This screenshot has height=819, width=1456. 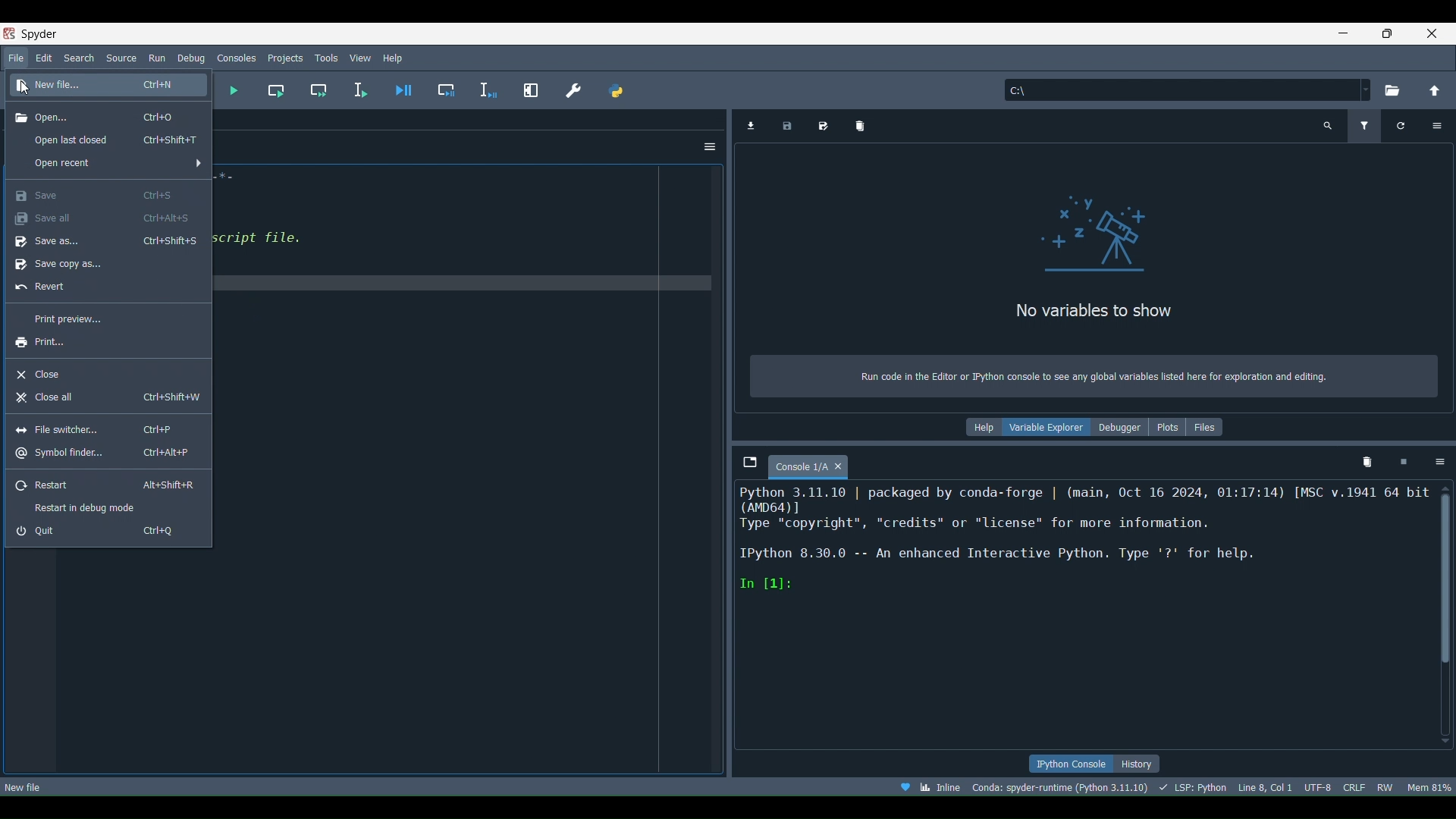 What do you see at coordinates (1431, 33) in the screenshot?
I see `close` at bounding box center [1431, 33].